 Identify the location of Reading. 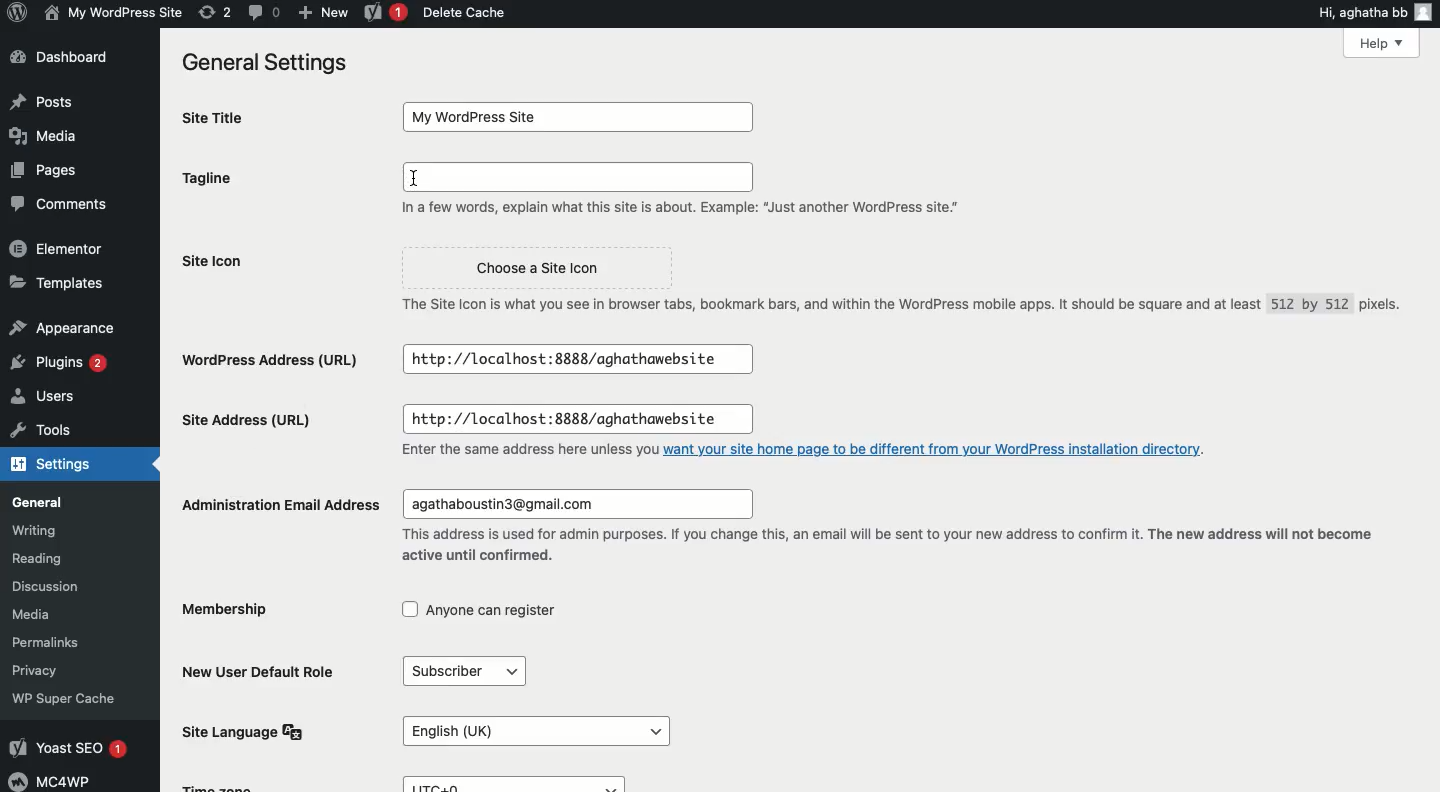
(49, 556).